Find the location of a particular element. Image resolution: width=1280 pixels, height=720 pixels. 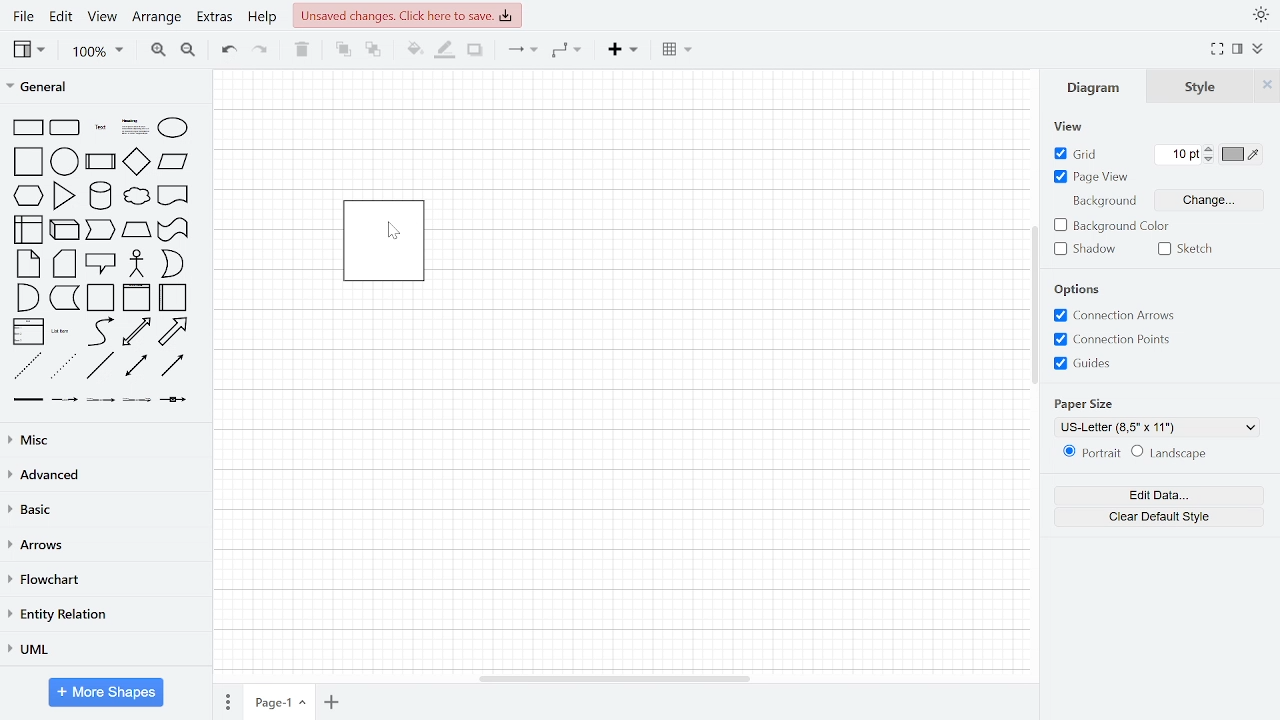

background is located at coordinates (1104, 202).